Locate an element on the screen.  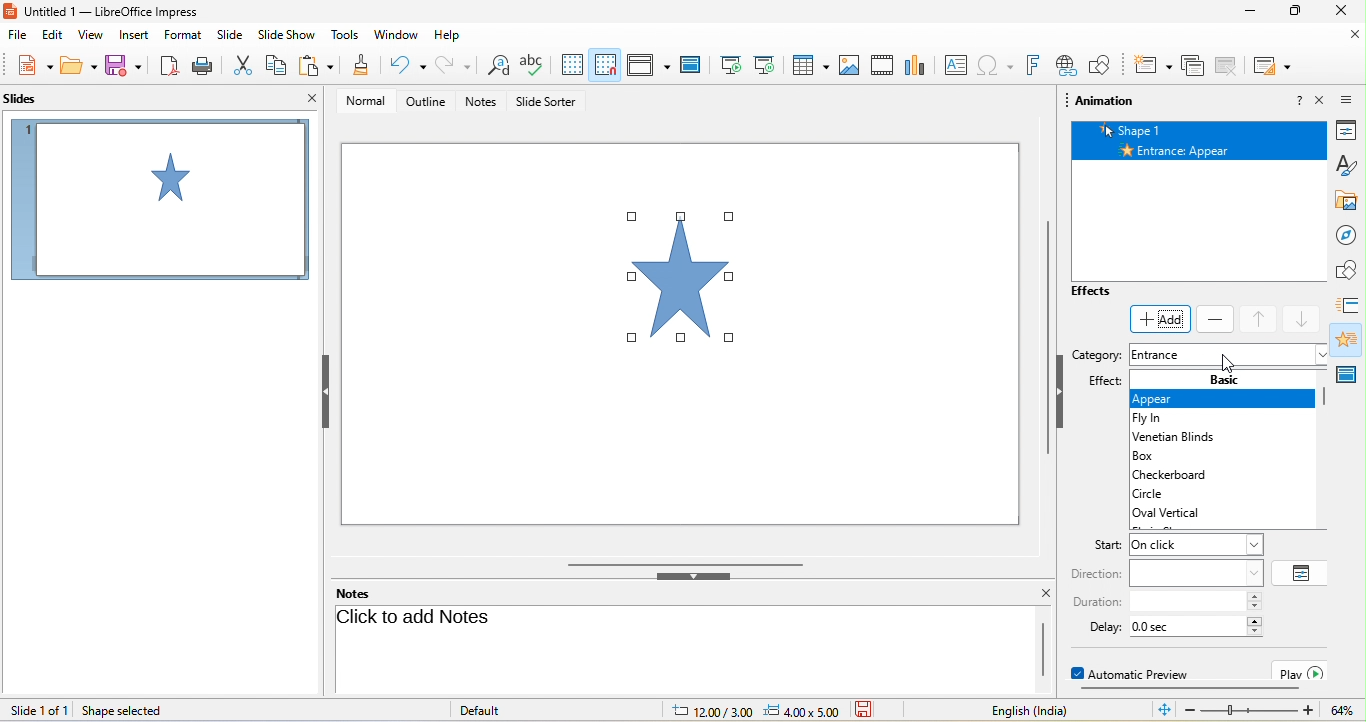
input start instruction is located at coordinates (1195, 545).